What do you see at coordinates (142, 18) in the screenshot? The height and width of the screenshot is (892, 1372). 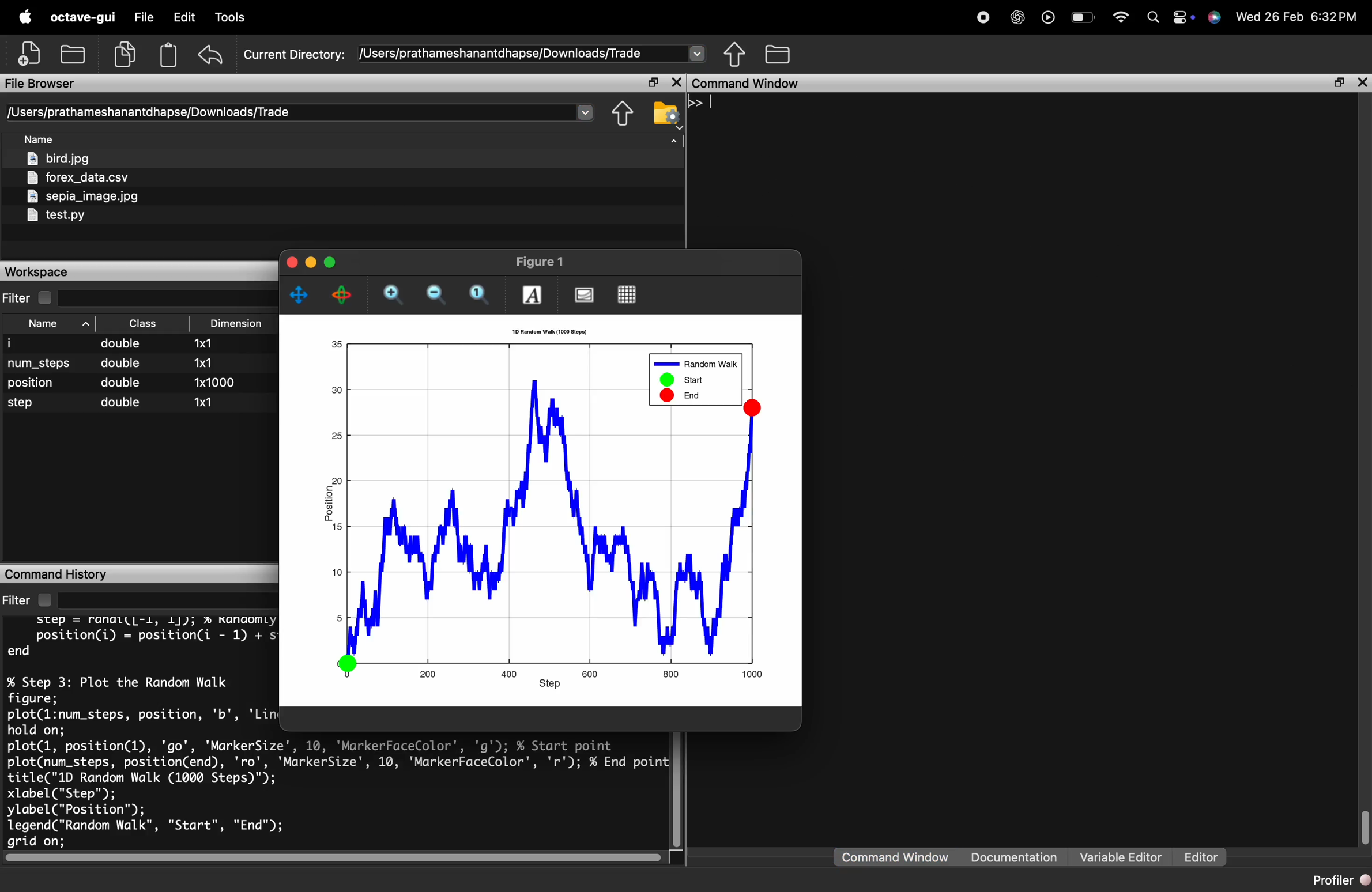 I see `File` at bounding box center [142, 18].